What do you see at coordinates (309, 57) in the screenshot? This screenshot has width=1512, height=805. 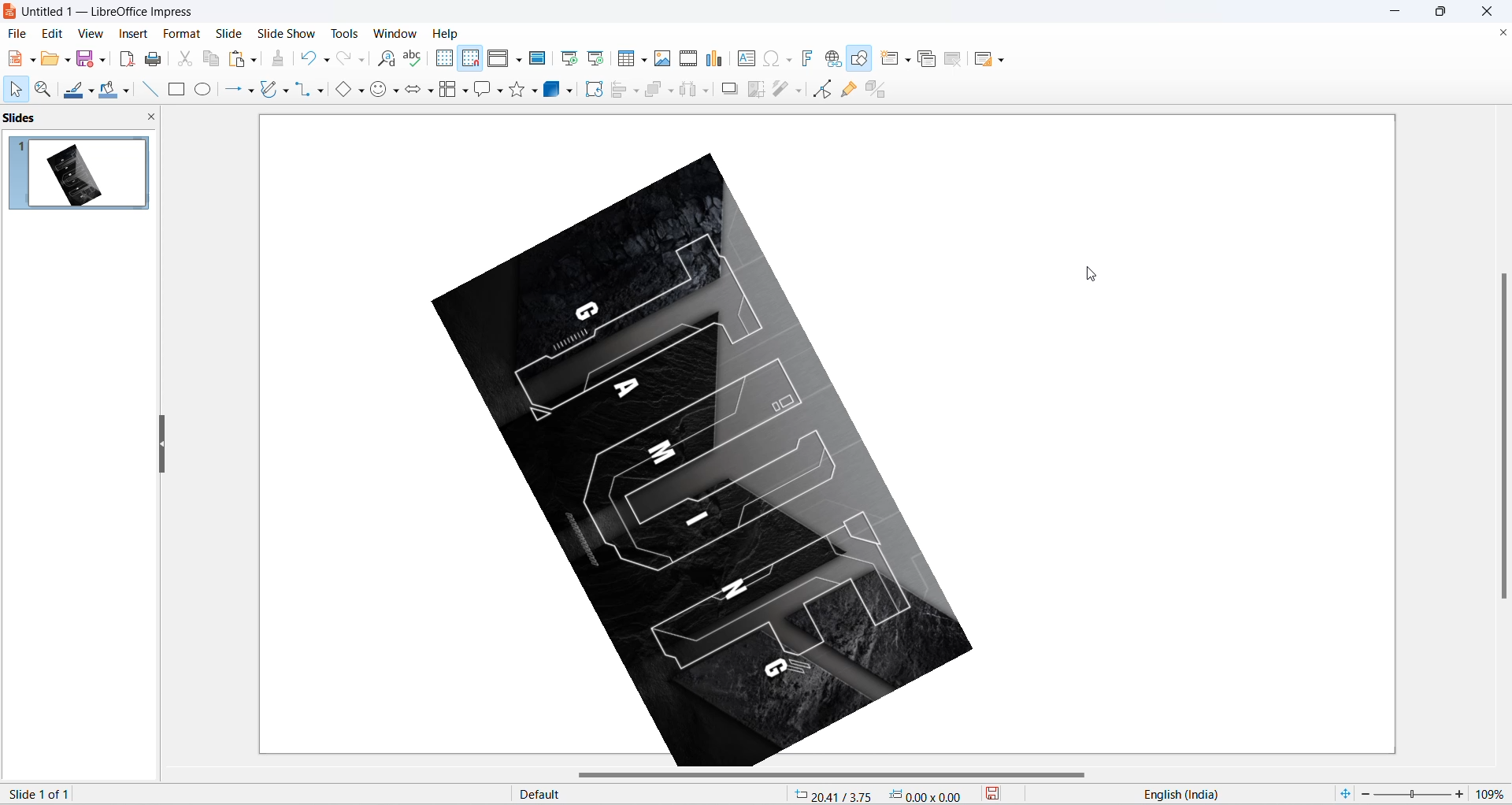 I see `undo` at bounding box center [309, 57].